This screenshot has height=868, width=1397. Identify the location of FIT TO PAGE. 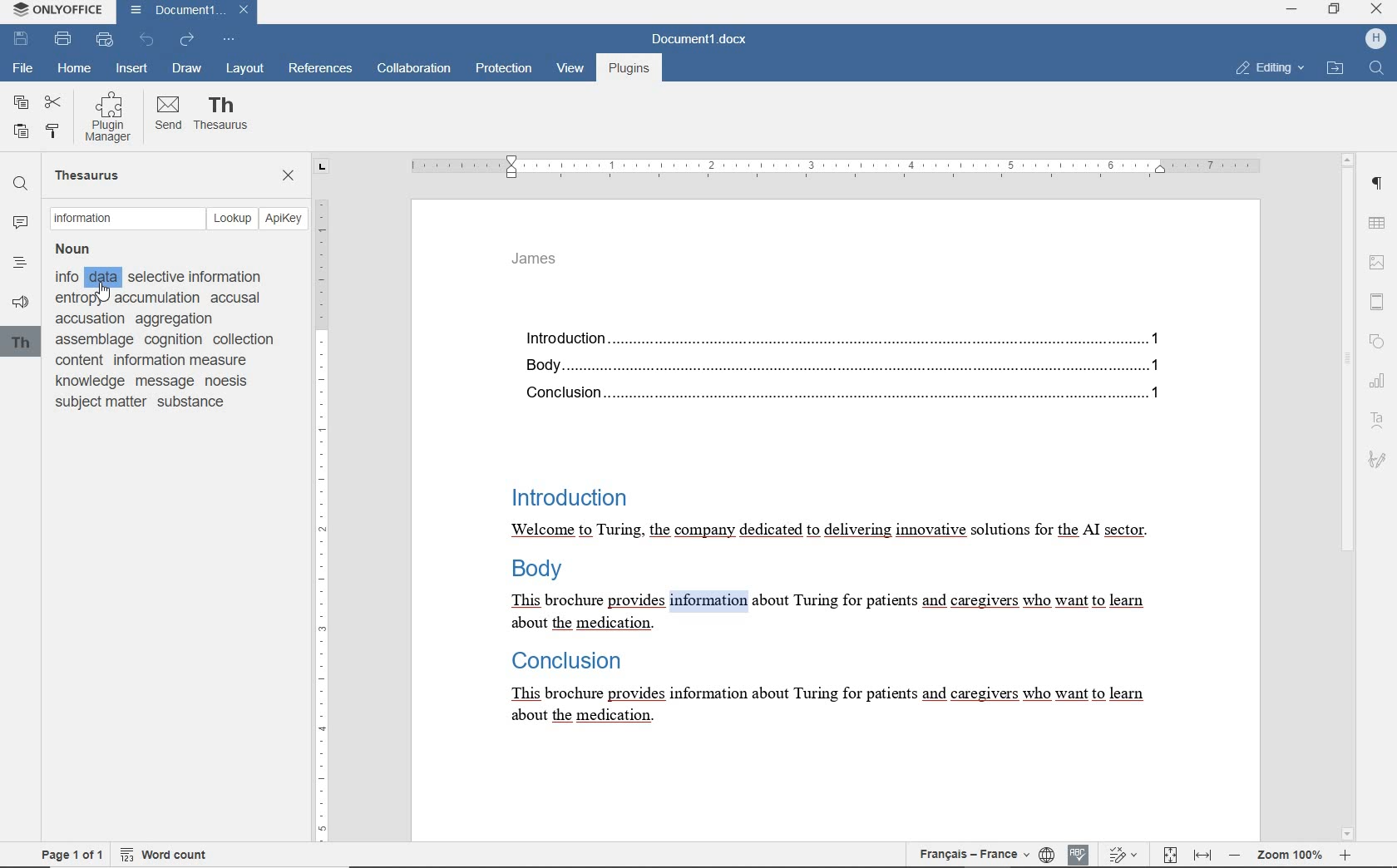
(1167, 852).